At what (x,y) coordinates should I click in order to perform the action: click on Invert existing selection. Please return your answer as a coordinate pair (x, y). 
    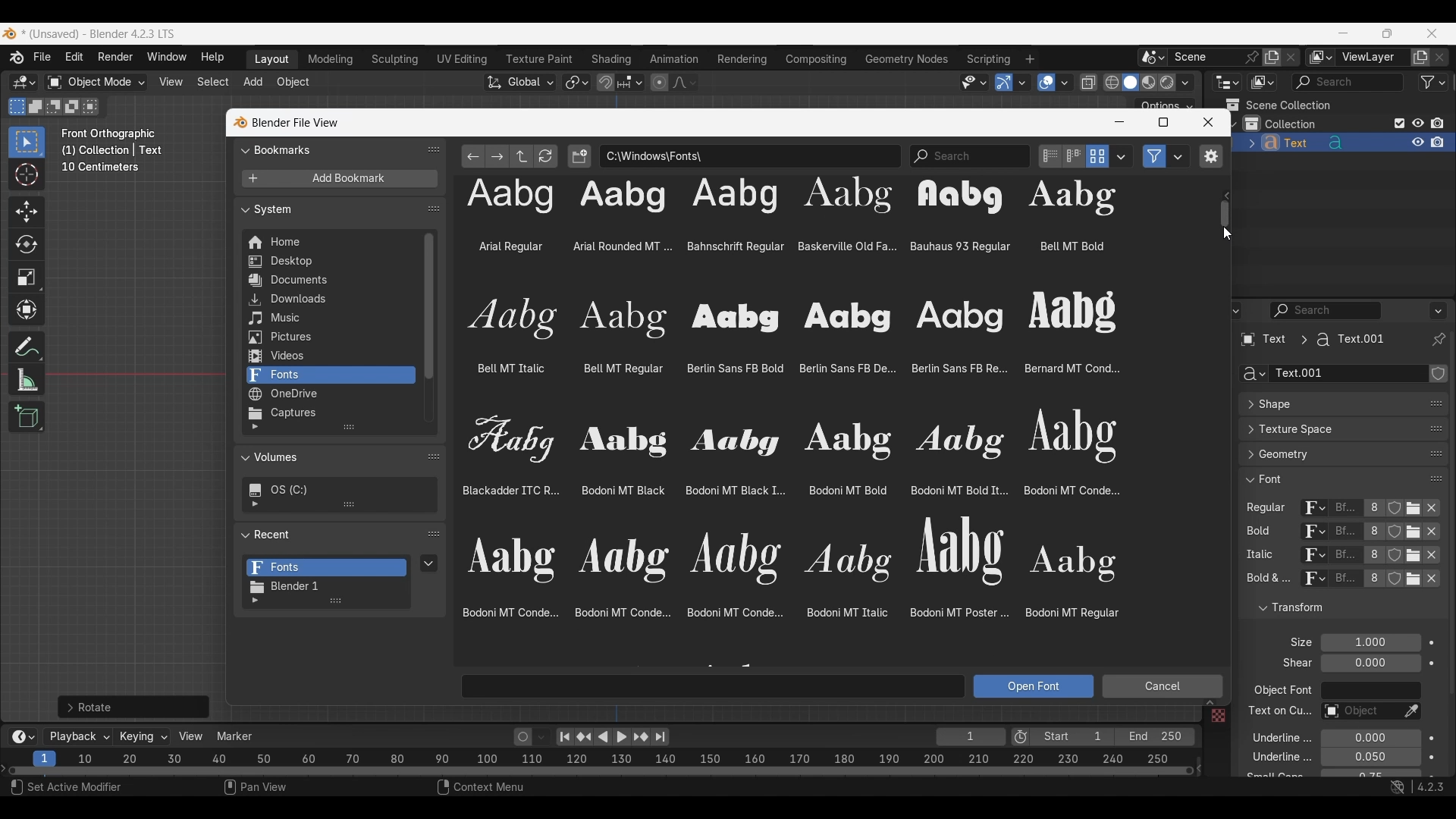
    Looking at the image, I should click on (72, 107).